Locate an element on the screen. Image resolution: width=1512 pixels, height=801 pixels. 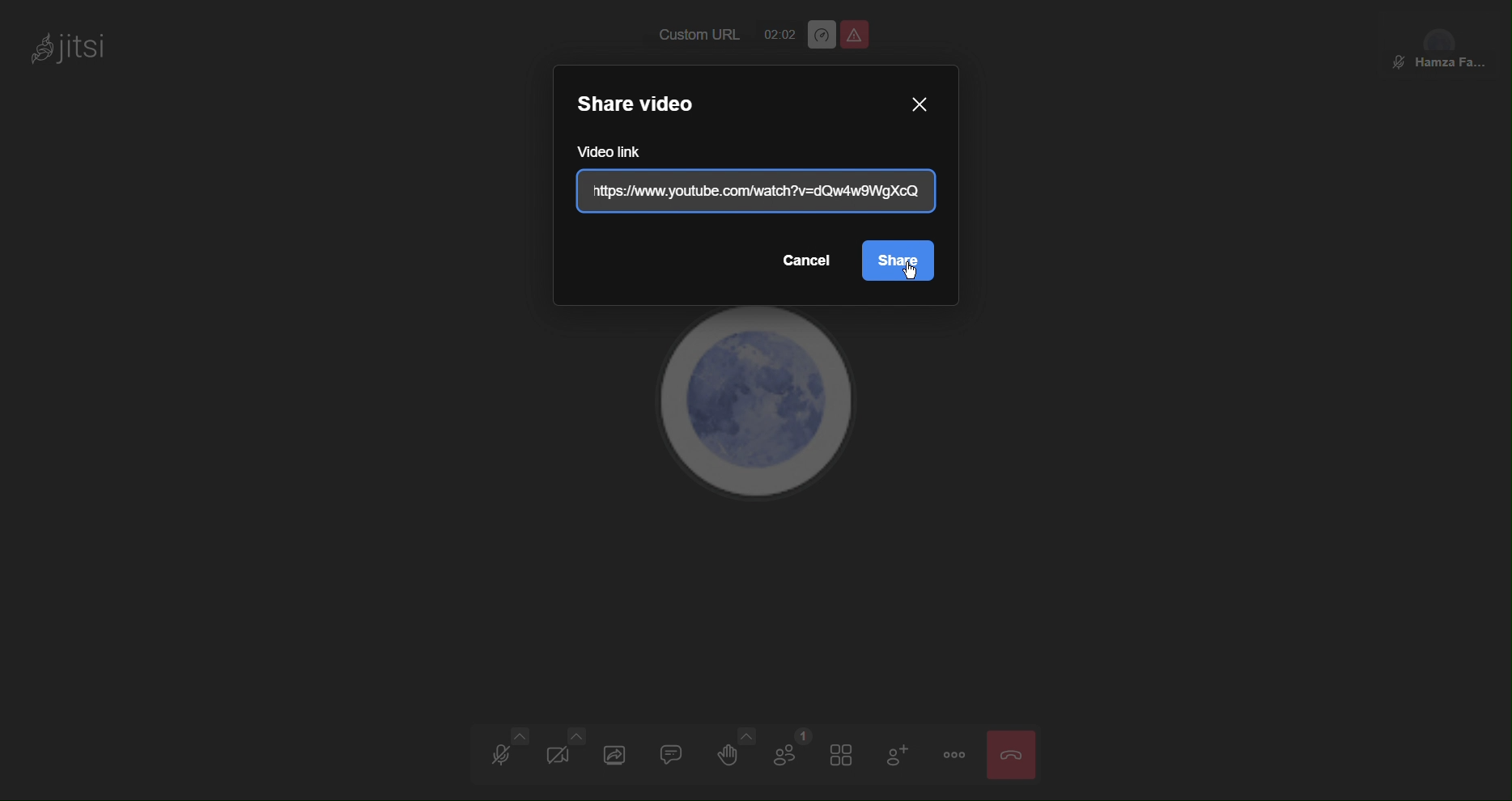
More is located at coordinates (953, 754).